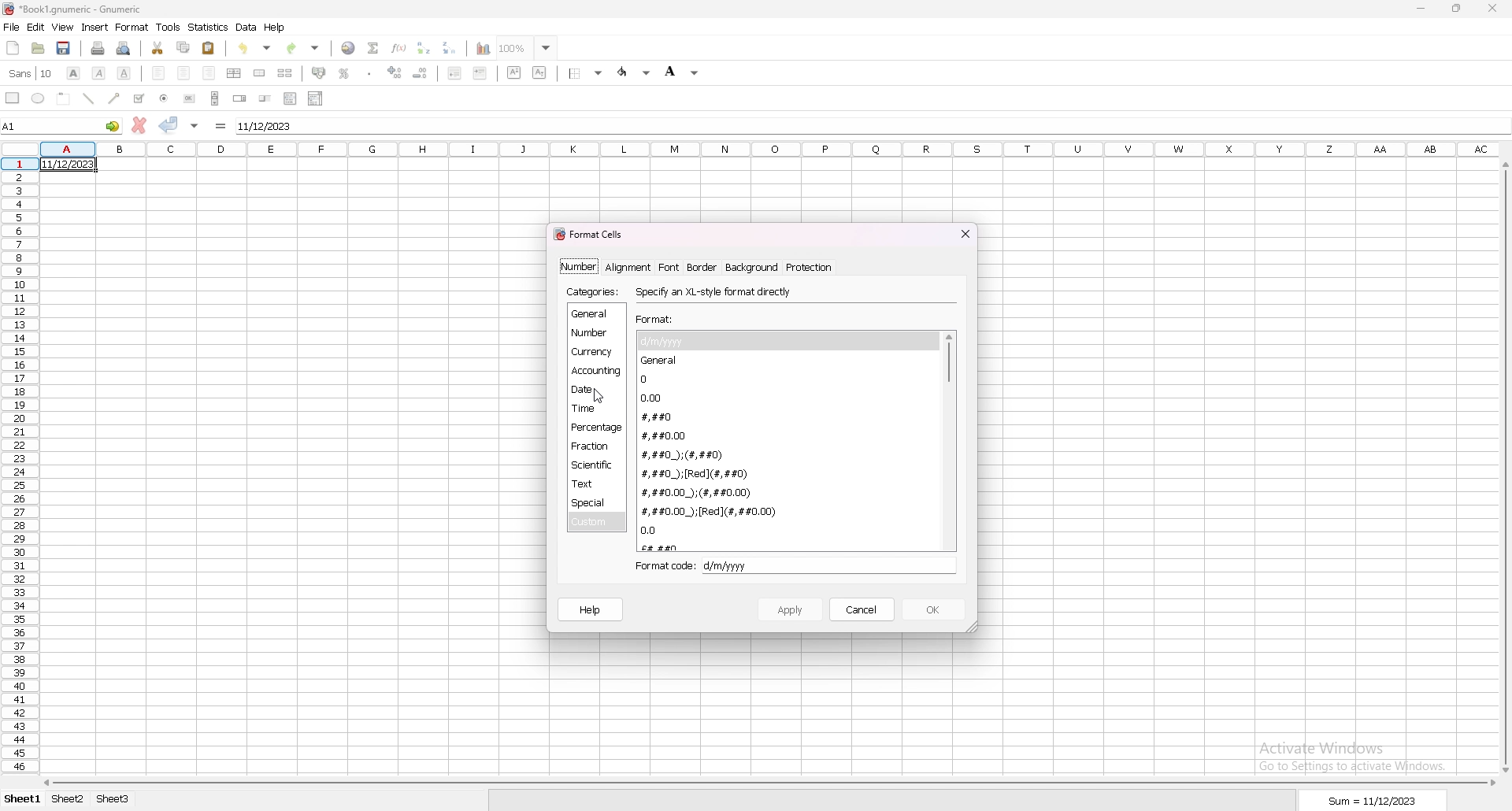 The width and height of the screenshot is (1512, 811). I want to click on cursor, so click(595, 399).